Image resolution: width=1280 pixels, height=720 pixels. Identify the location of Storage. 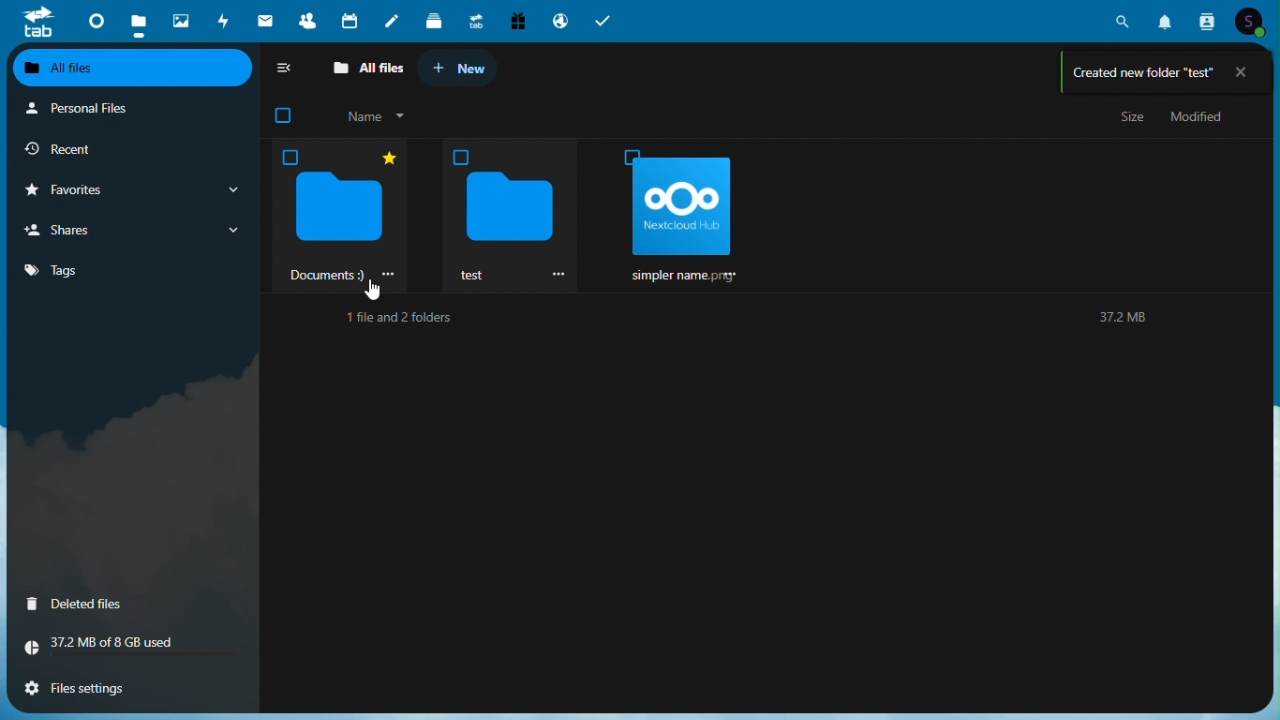
(126, 649).